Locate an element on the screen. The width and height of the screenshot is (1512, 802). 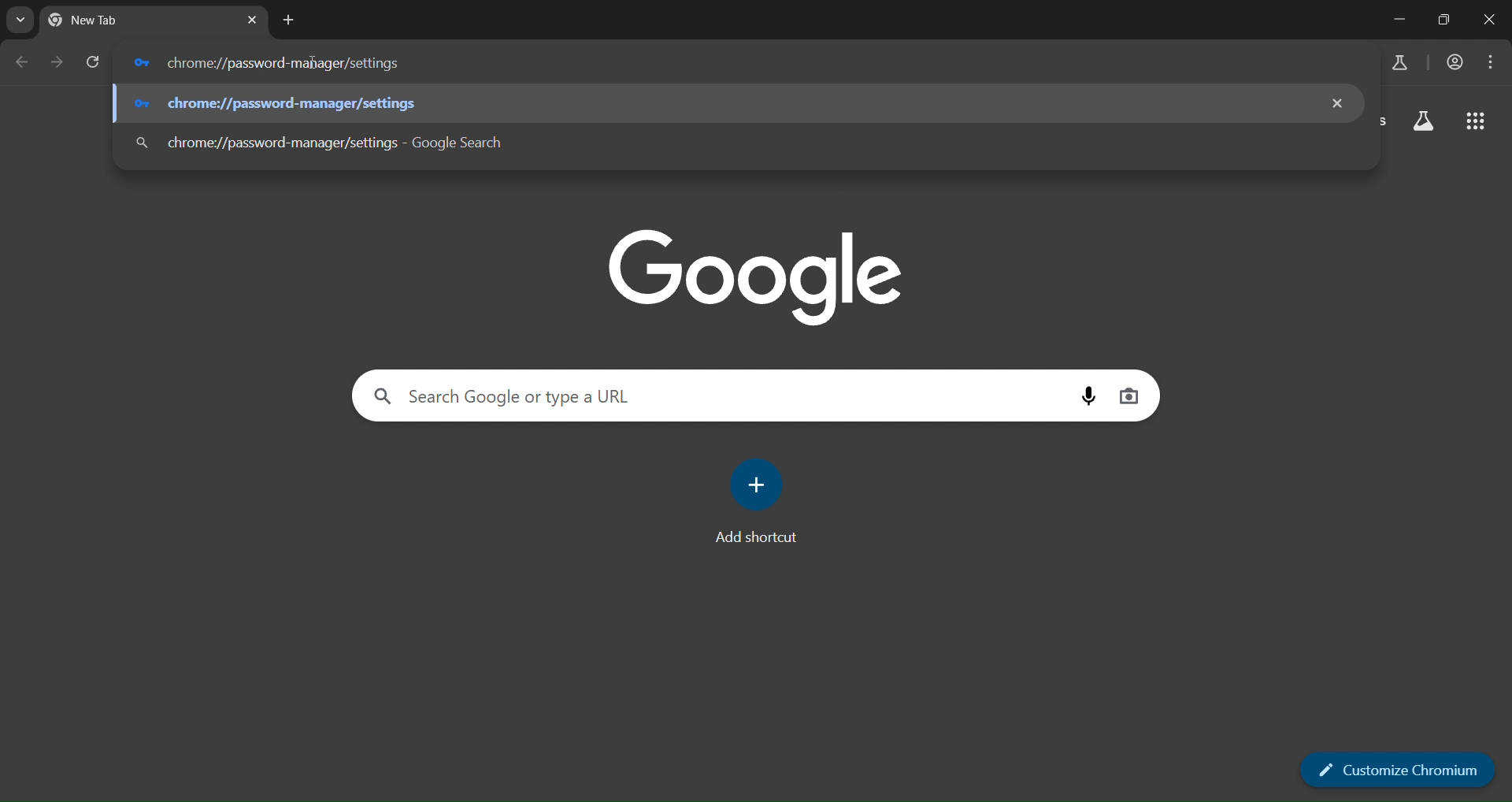
accounts is located at coordinates (1456, 61).